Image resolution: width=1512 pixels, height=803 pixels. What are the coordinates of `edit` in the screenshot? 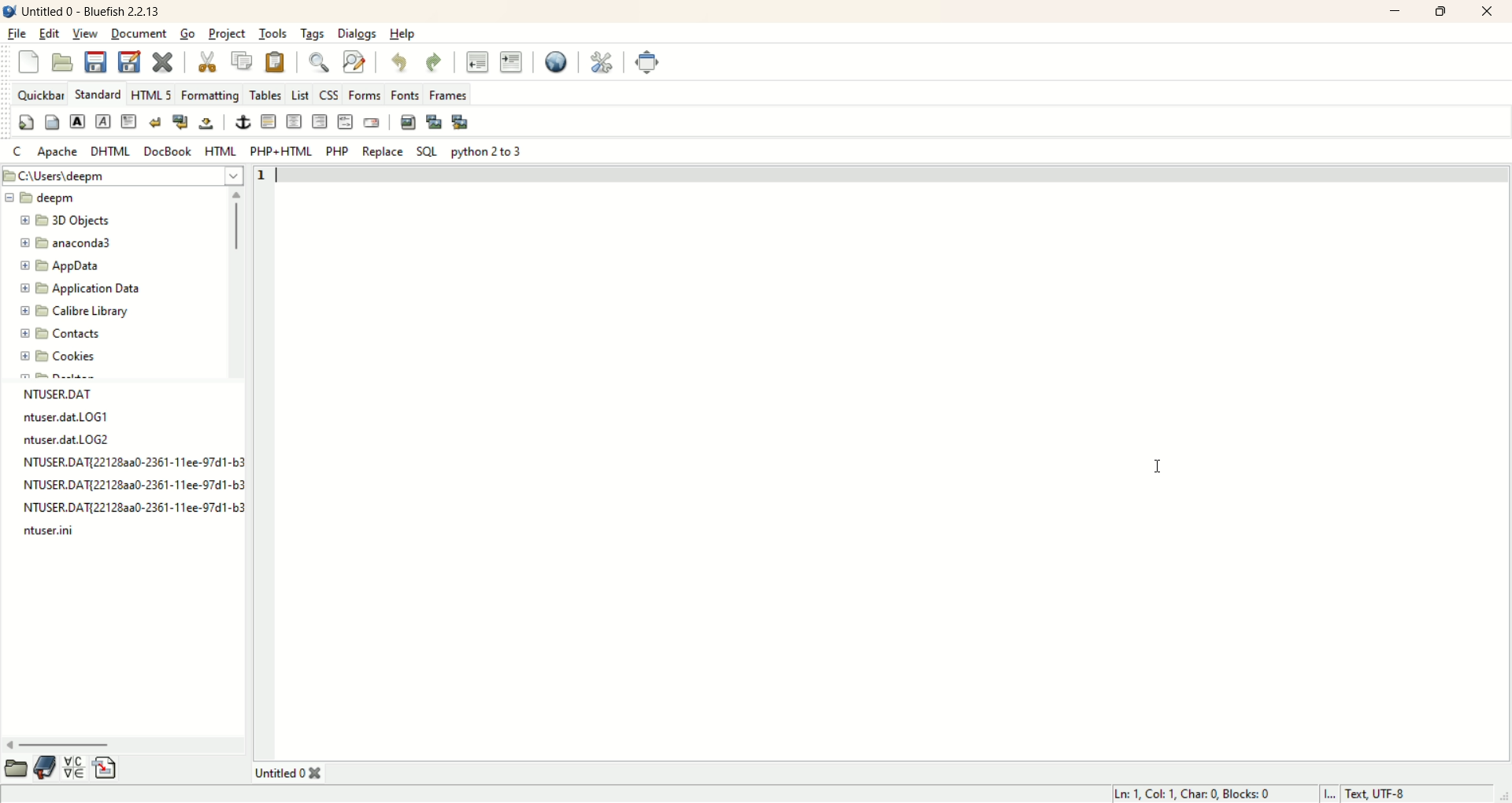 It's located at (48, 34).